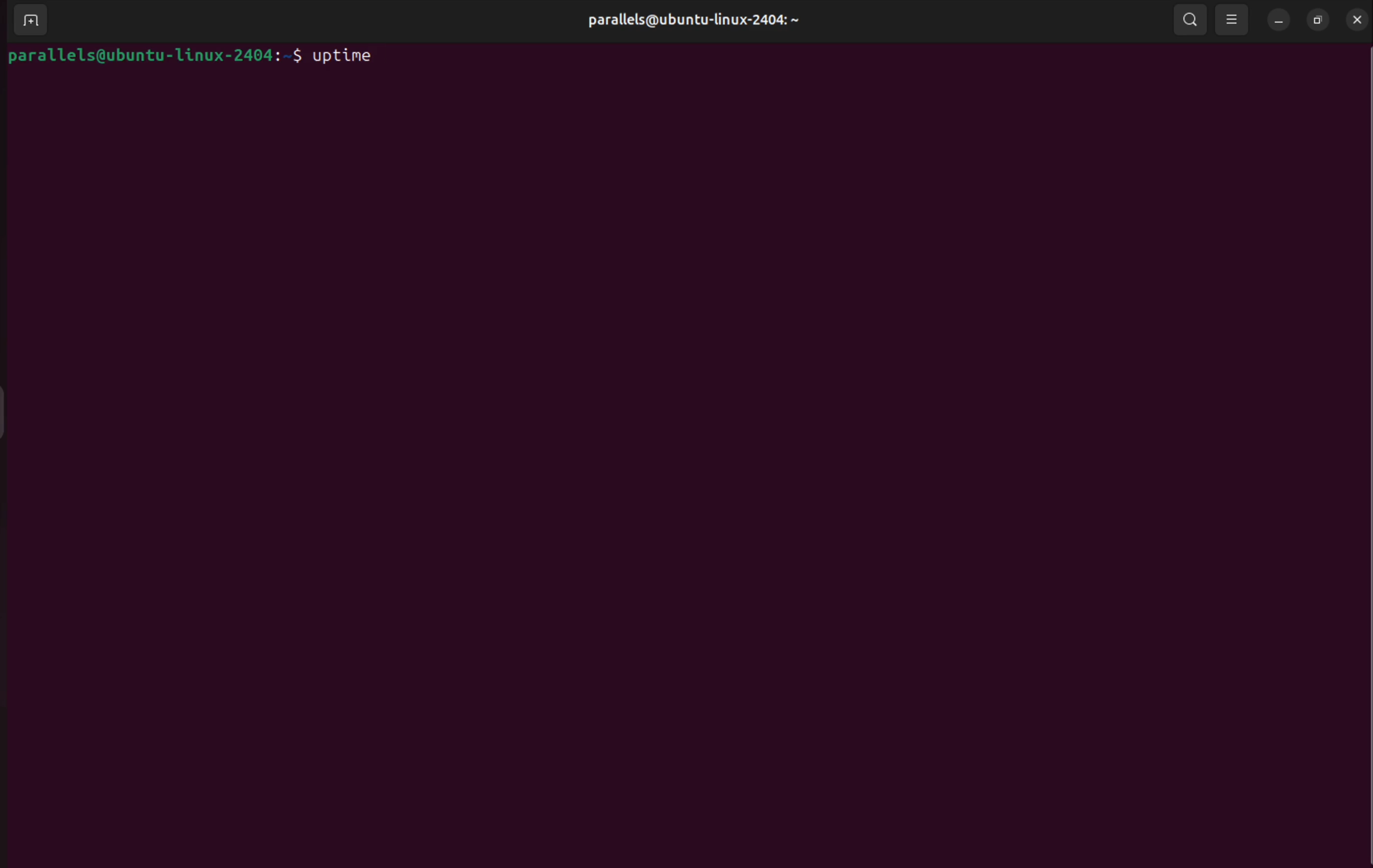 The width and height of the screenshot is (1373, 868). What do you see at coordinates (1358, 19) in the screenshot?
I see `close` at bounding box center [1358, 19].